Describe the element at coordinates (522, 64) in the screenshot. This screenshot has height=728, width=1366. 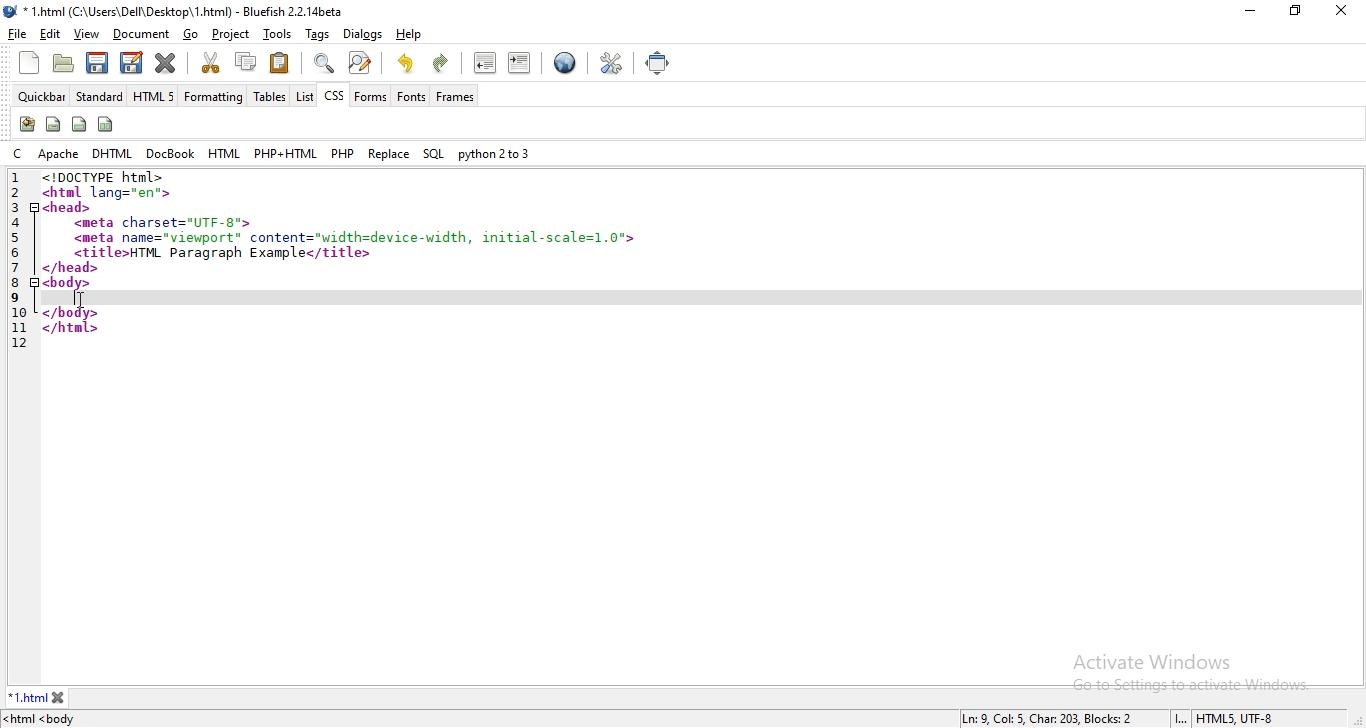
I see `indent` at that location.